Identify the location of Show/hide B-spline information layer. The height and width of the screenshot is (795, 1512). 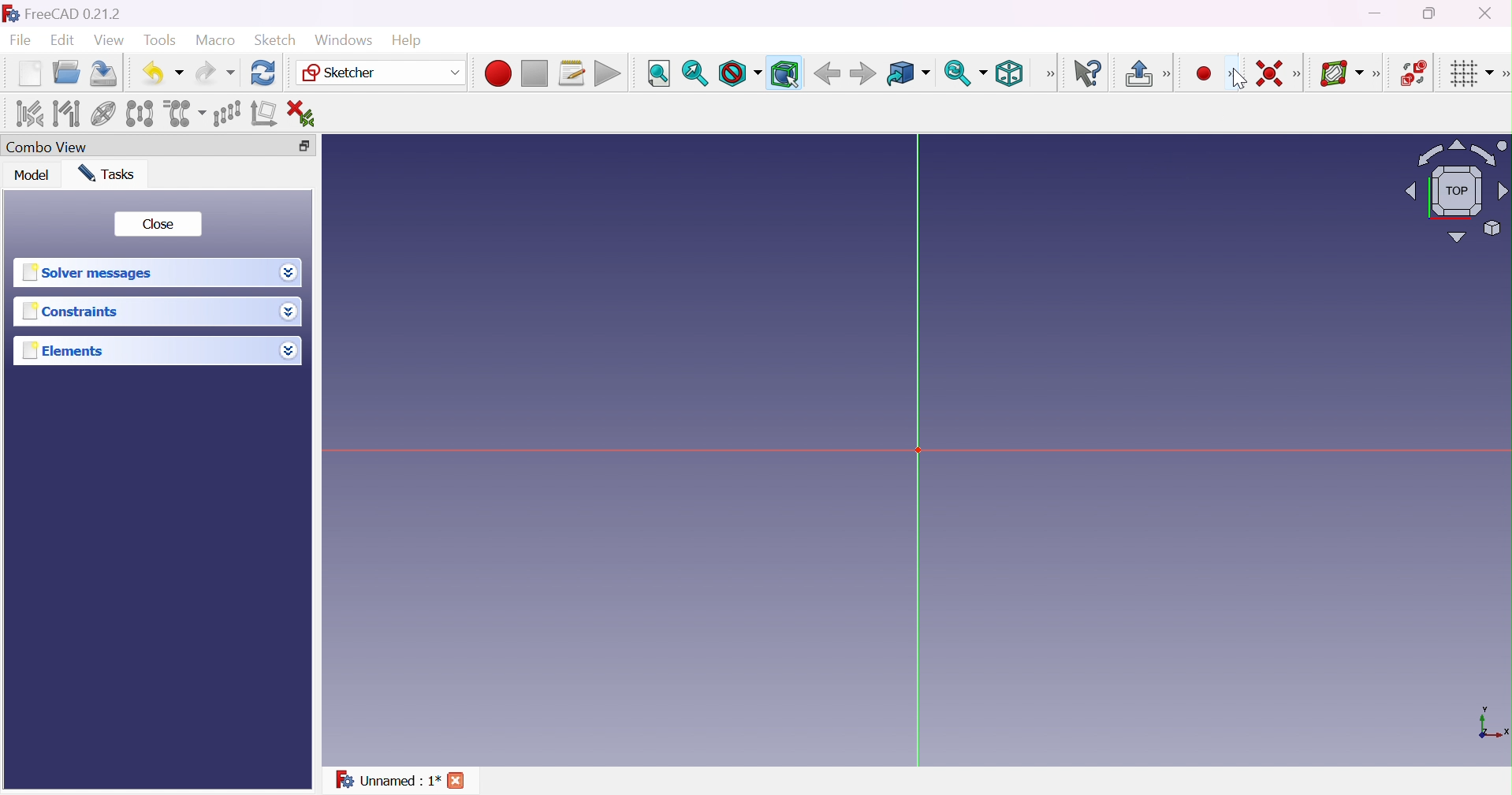
(1343, 73).